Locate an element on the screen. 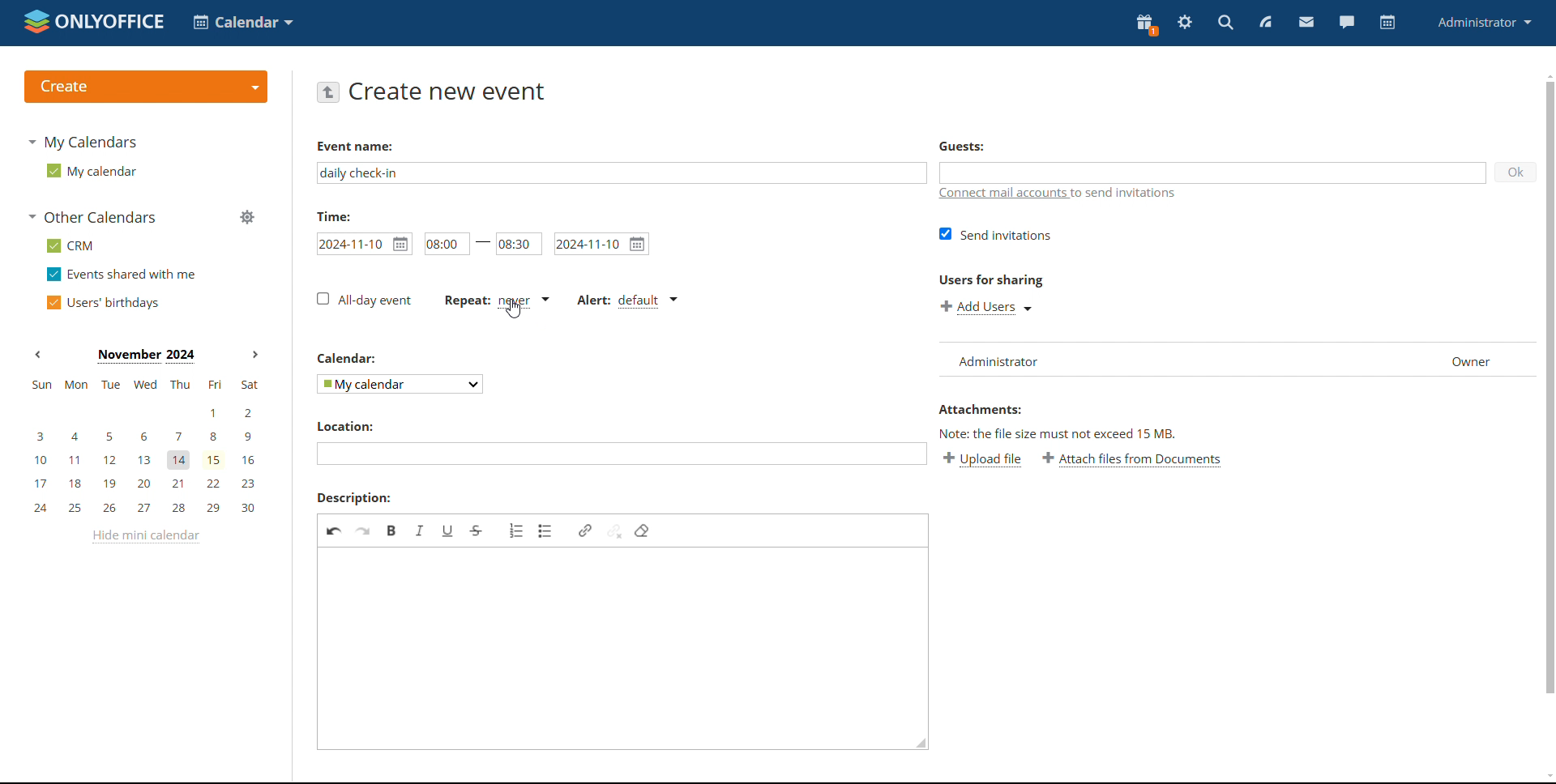 Image resolution: width=1556 pixels, height=784 pixels. time: is located at coordinates (340, 216).